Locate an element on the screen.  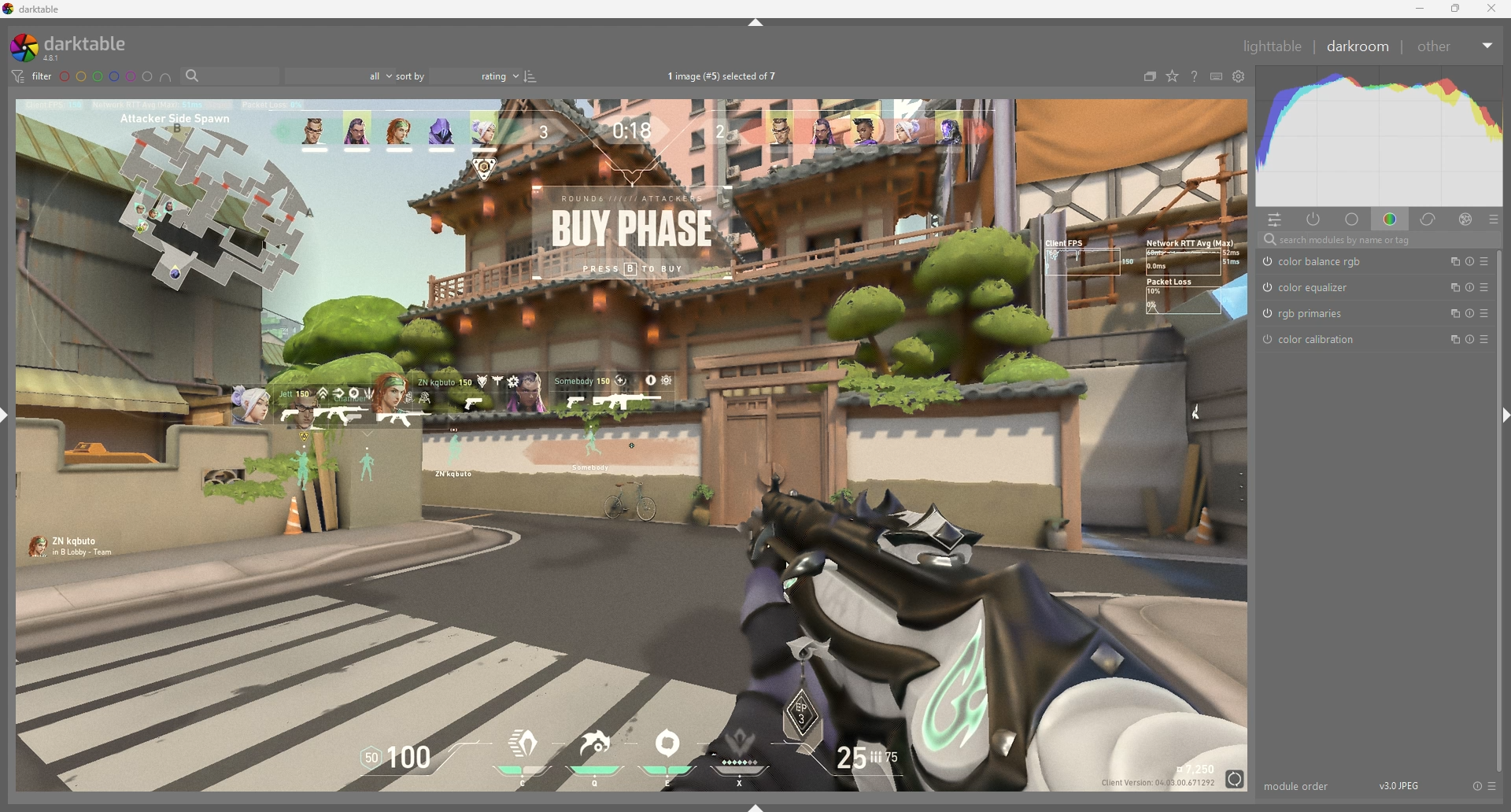
base is located at coordinates (1354, 219).